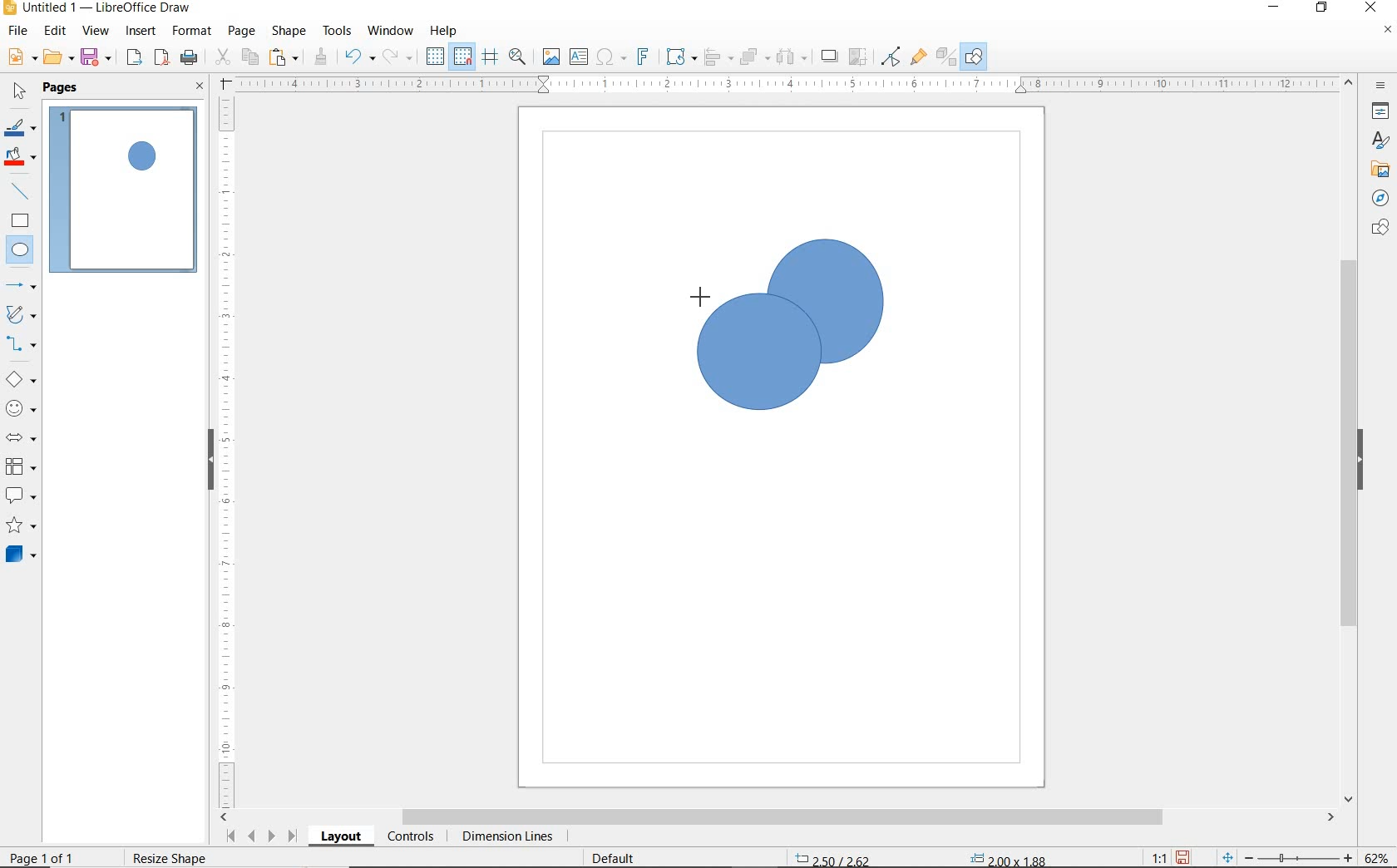 The image size is (1397, 868). Describe the element at coordinates (946, 58) in the screenshot. I see `TOGGLE EXTRUSION` at that location.